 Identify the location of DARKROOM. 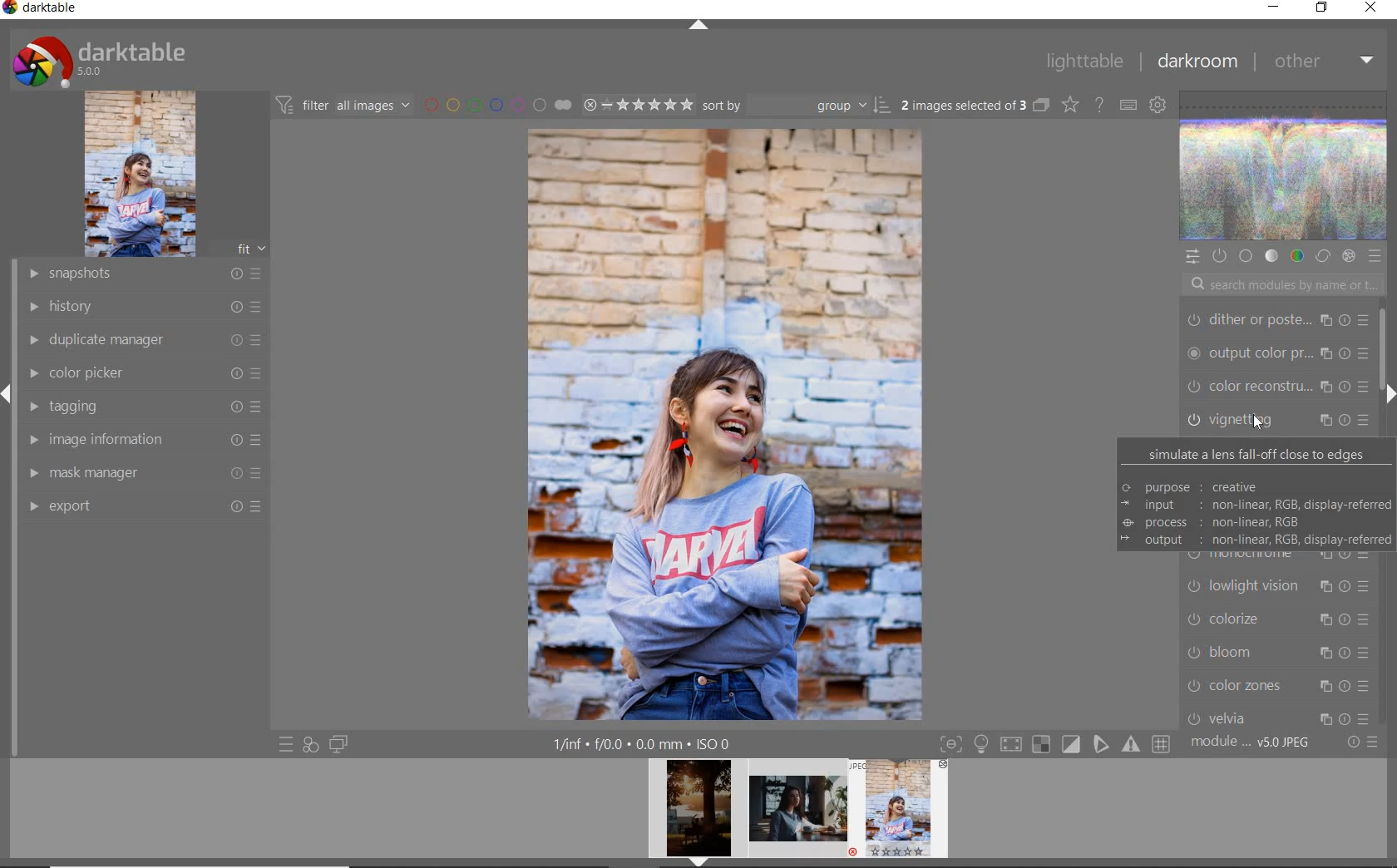
(1197, 62).